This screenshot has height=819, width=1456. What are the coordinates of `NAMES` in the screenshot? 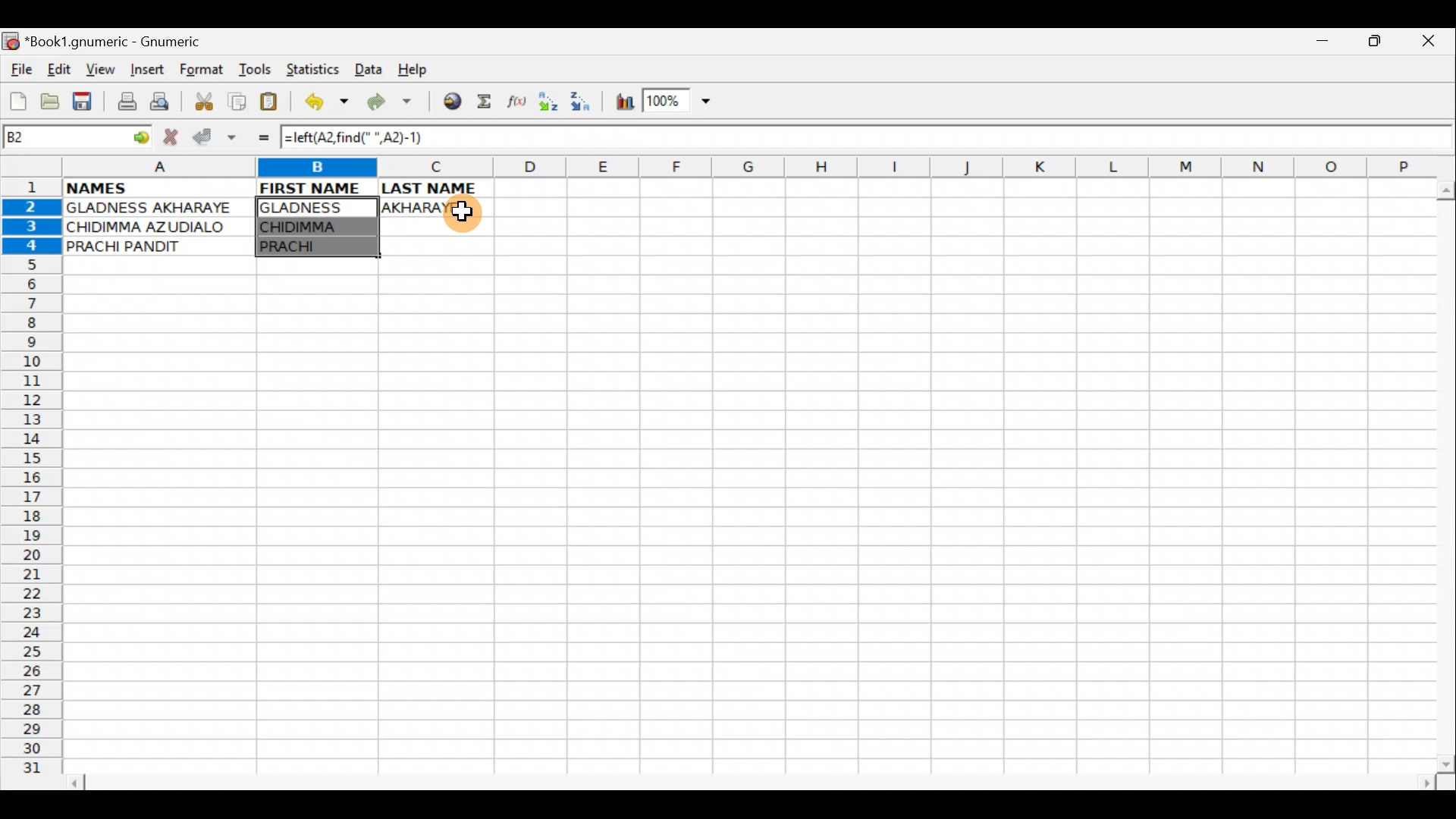 It's located at (142, 187).